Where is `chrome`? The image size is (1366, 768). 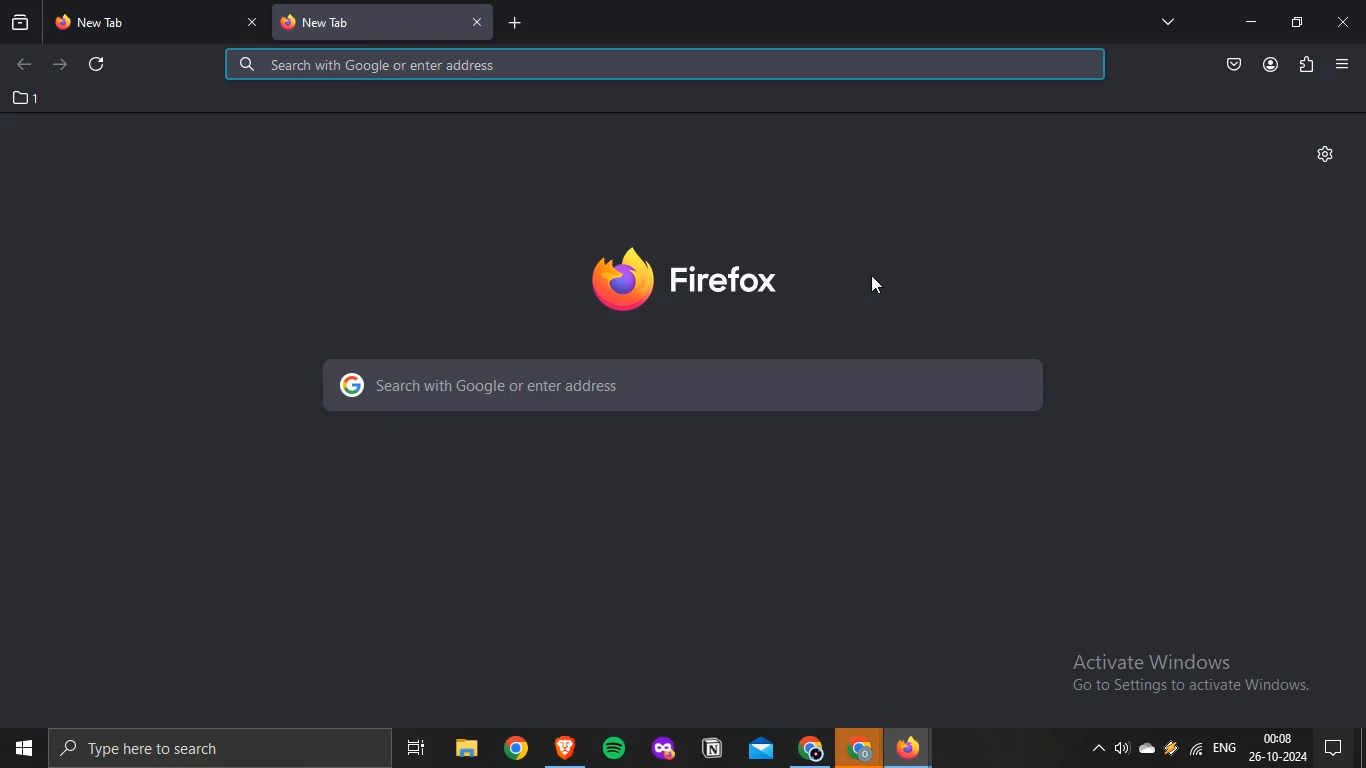 chrome is located at coordinates (808, 747).